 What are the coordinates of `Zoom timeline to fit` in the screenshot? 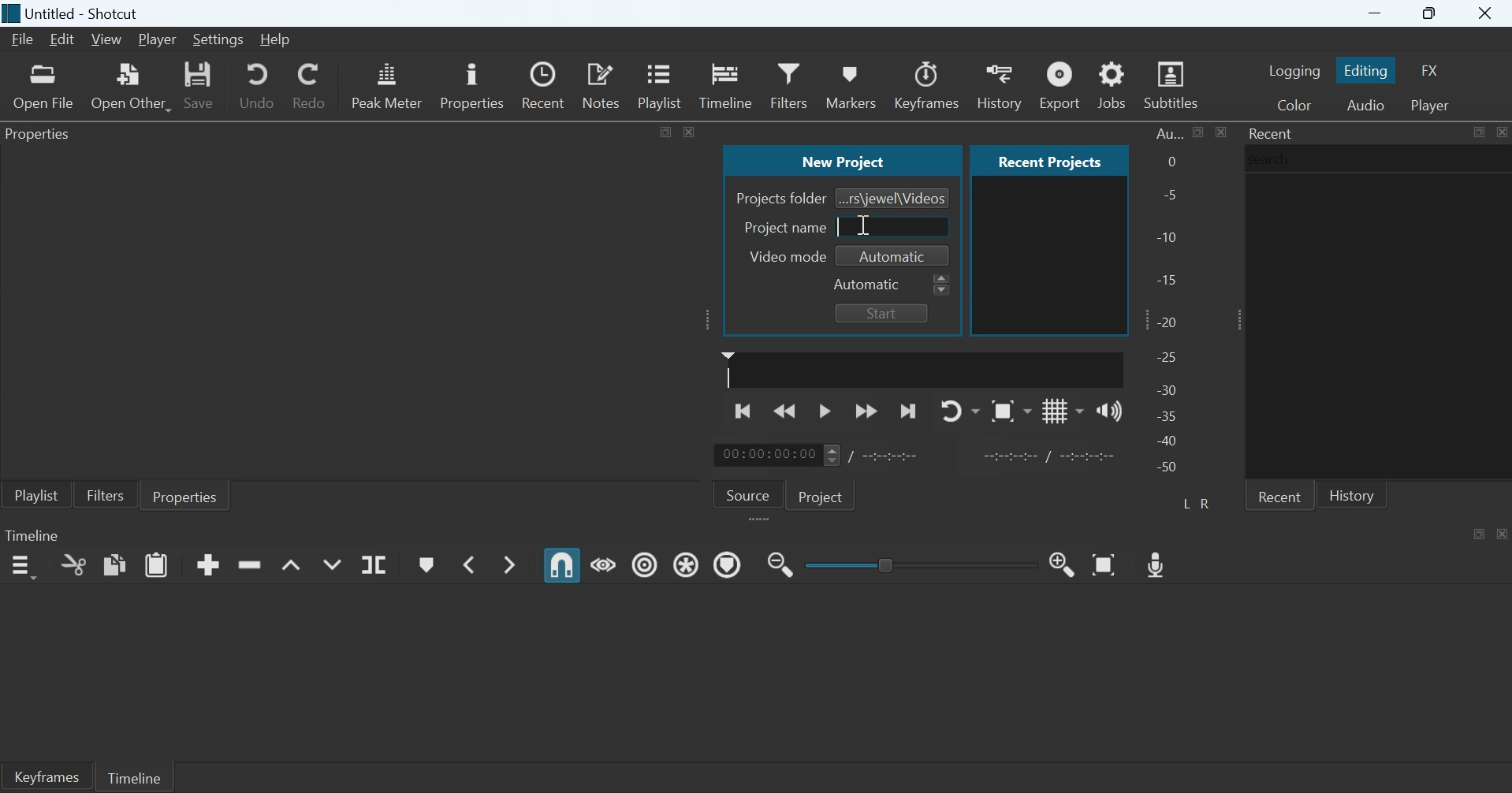 It's located at (1106, 564).